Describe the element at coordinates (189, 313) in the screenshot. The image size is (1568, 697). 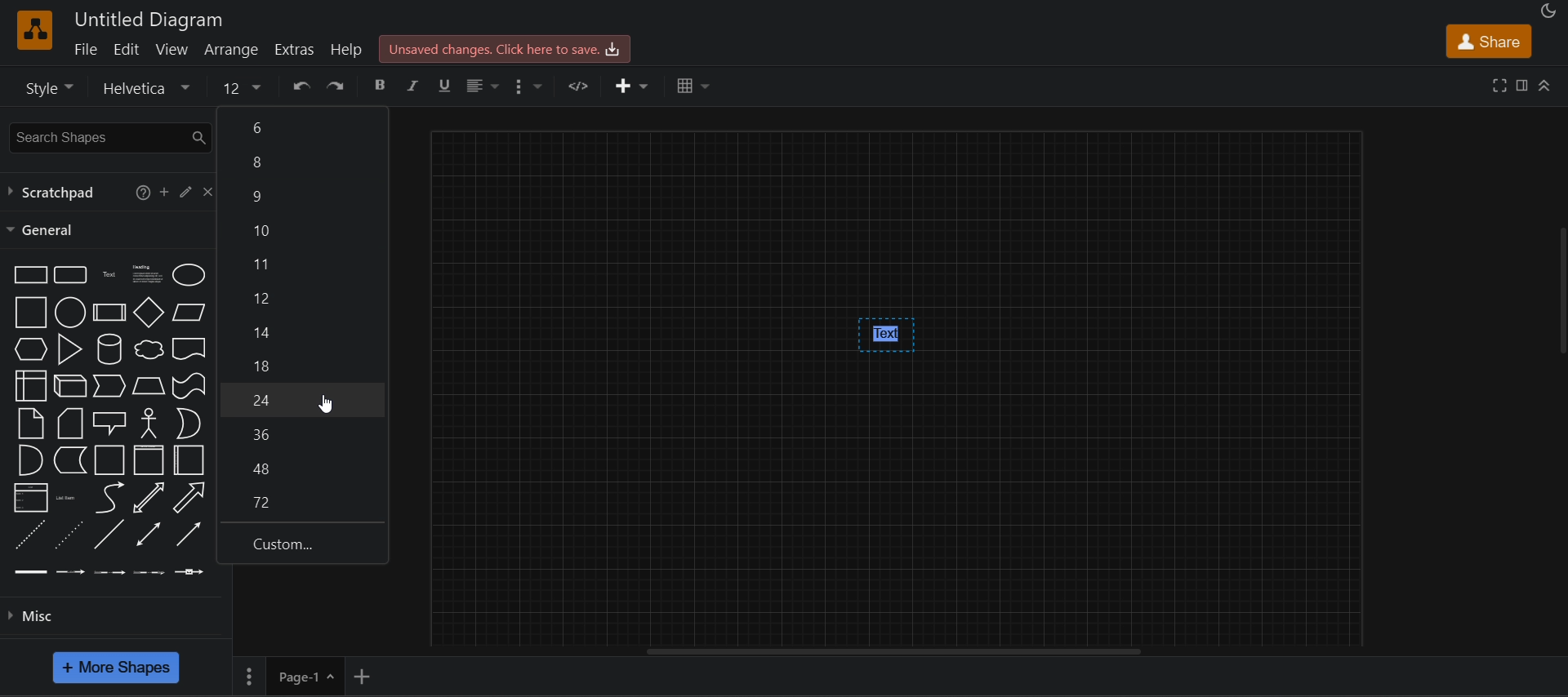
I see `Parallelogram` at that location.